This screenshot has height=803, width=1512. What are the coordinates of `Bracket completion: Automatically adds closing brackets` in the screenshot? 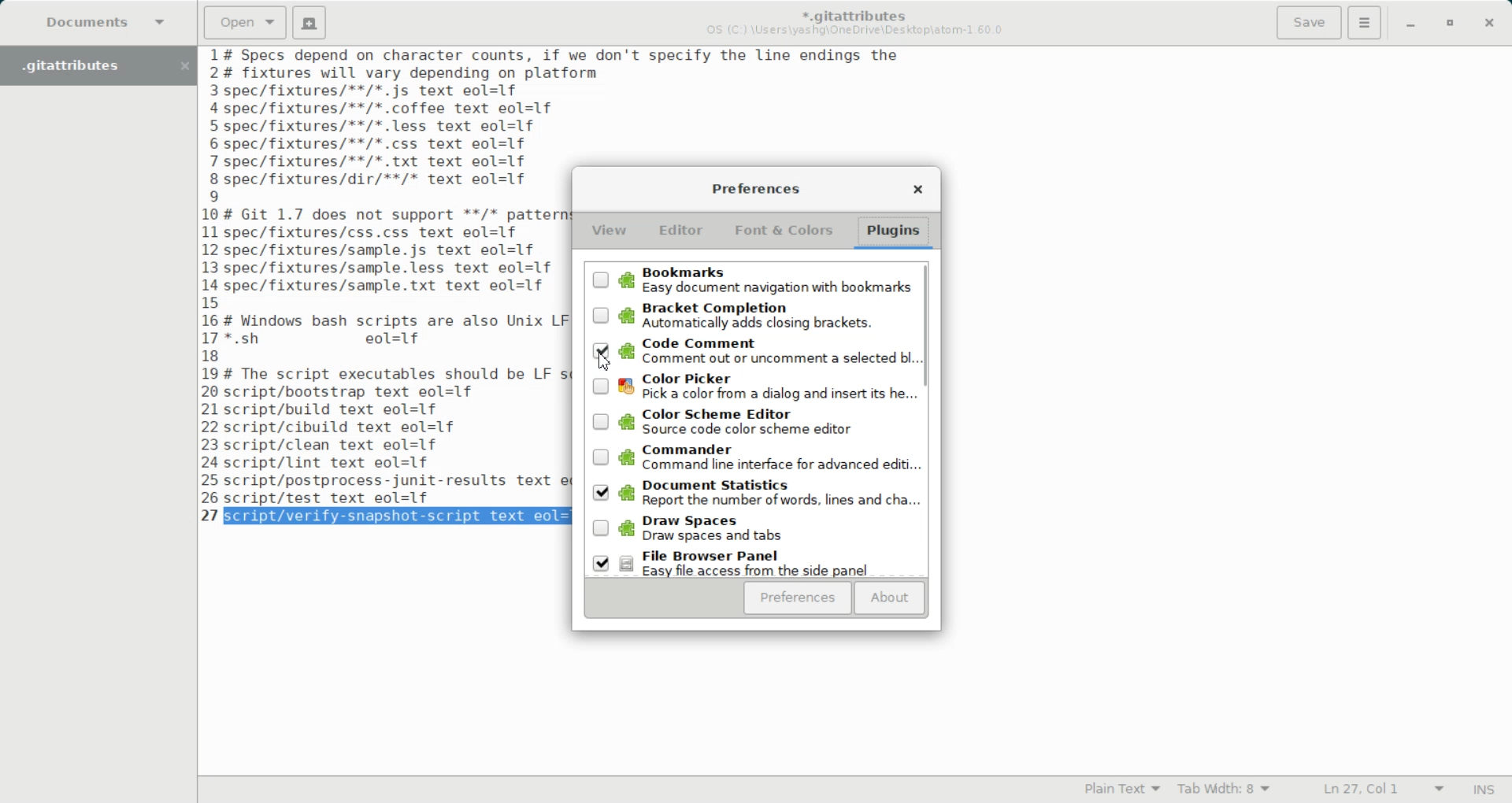 It's located at (750, 316).